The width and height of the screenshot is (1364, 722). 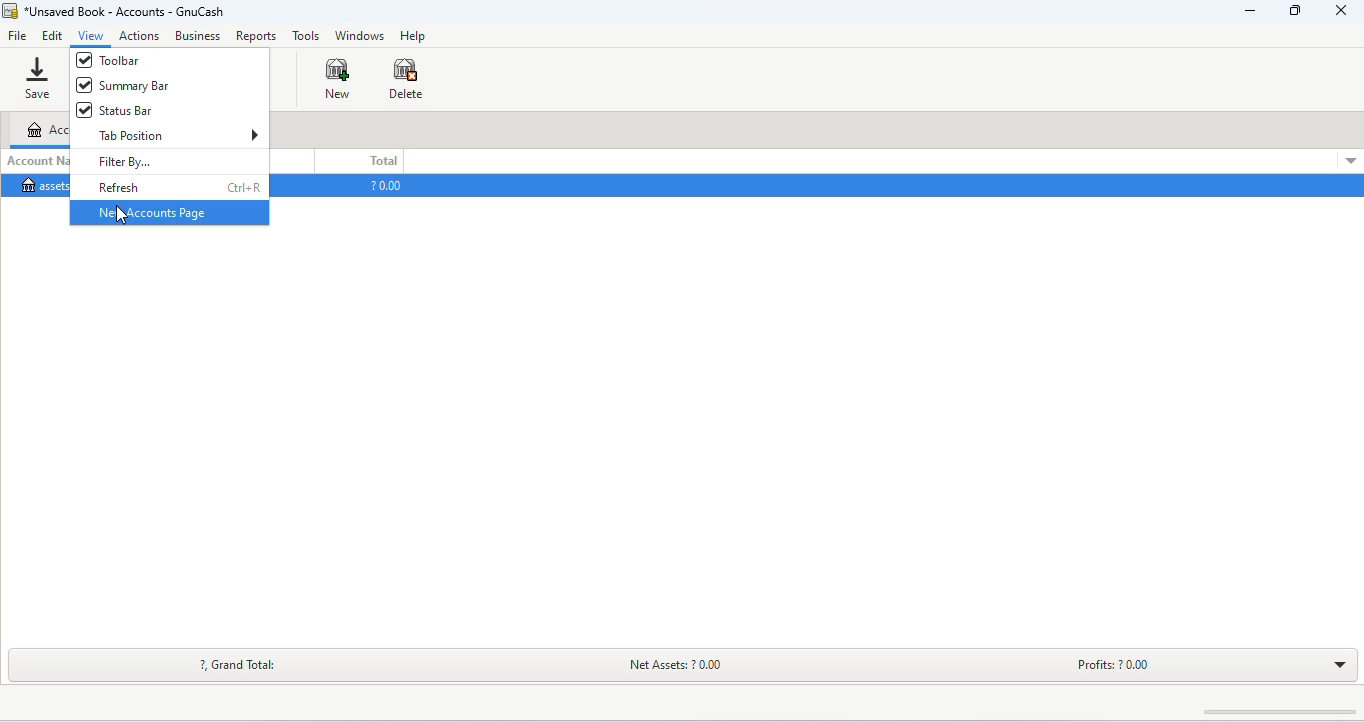 What do you see at coordinates (242, 664) in the screenshot?
I see `?, grand total:` at bounding box center [242, 664].